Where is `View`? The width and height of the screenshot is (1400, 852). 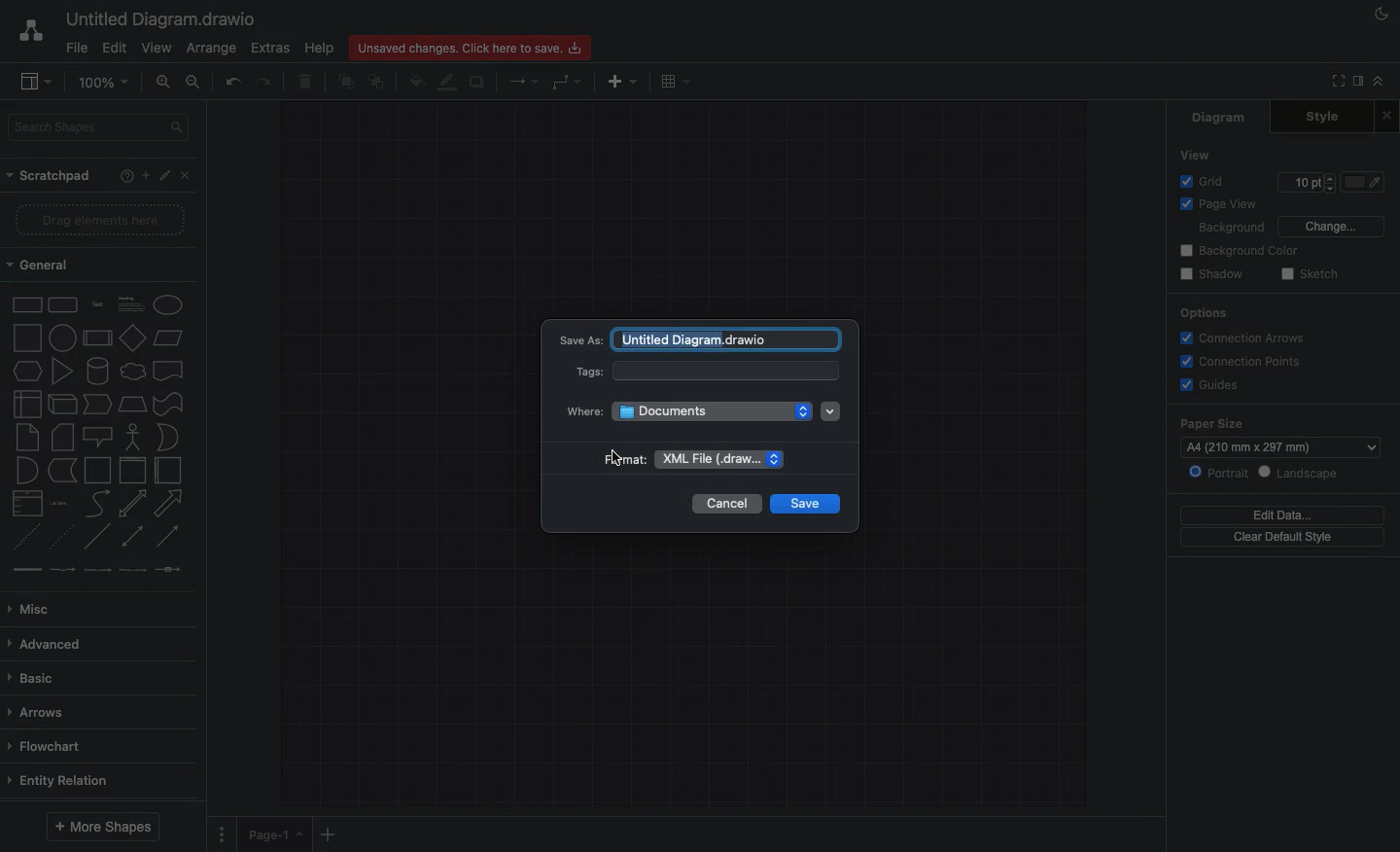 View is located at coordinates (157, 49).